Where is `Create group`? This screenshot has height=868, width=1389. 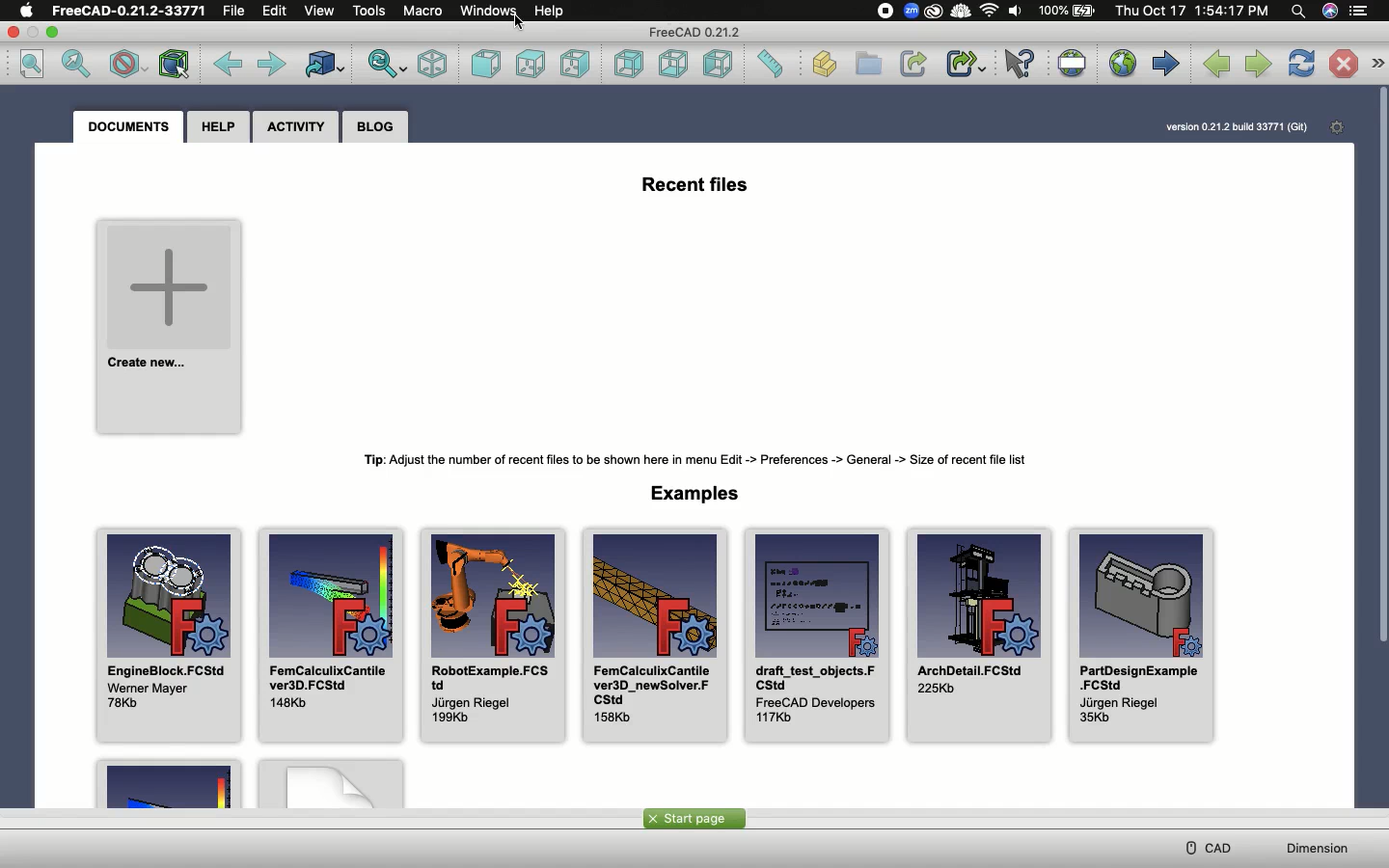 Create group is located at coordinates (870, 64).